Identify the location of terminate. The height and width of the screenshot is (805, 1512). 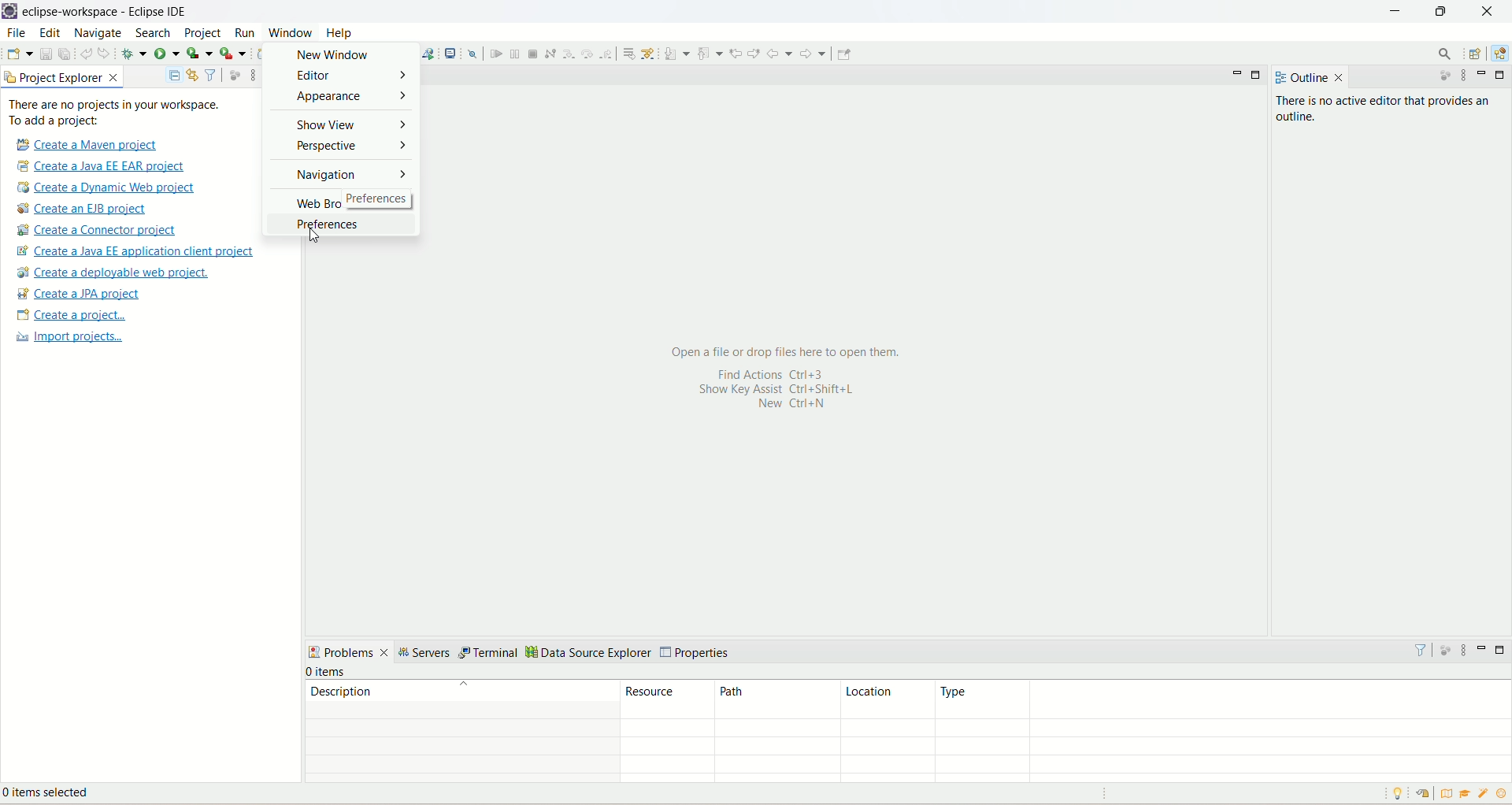
(535, 54).